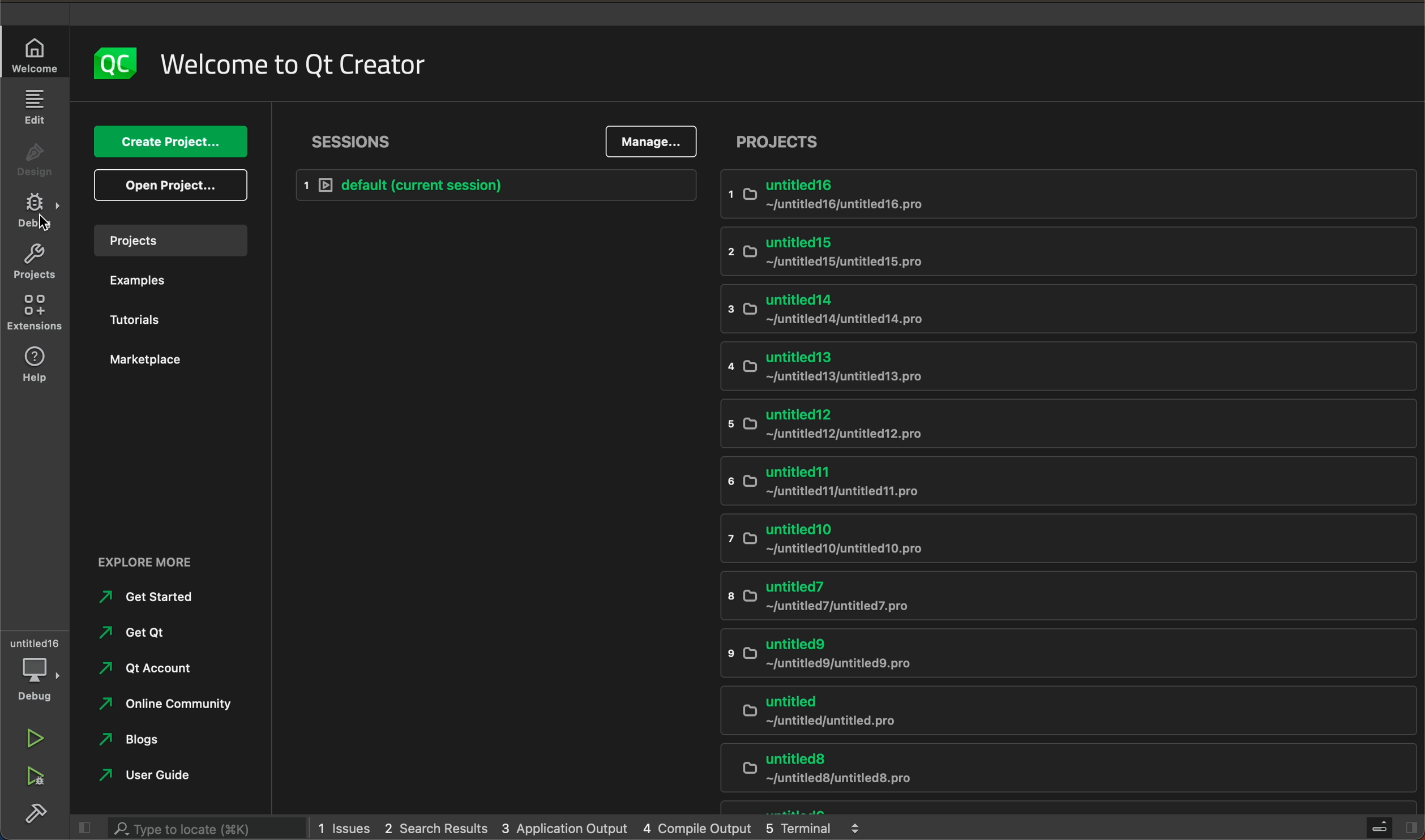 This screenshot has width=1425, height=840. I want to click on design, so click(32, 156).